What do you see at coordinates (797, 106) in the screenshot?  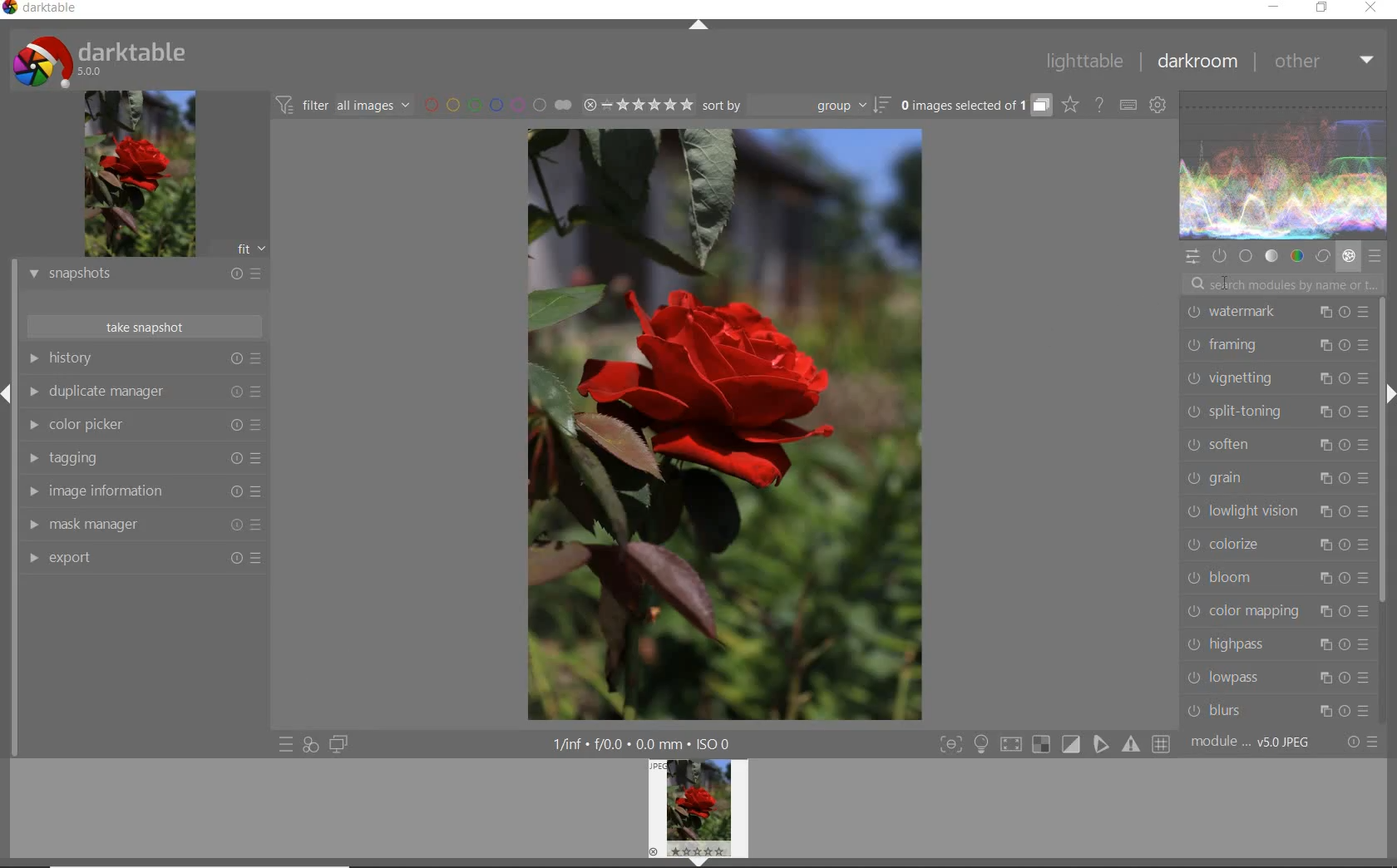 I see `sort` at bounding box center [797, 106].